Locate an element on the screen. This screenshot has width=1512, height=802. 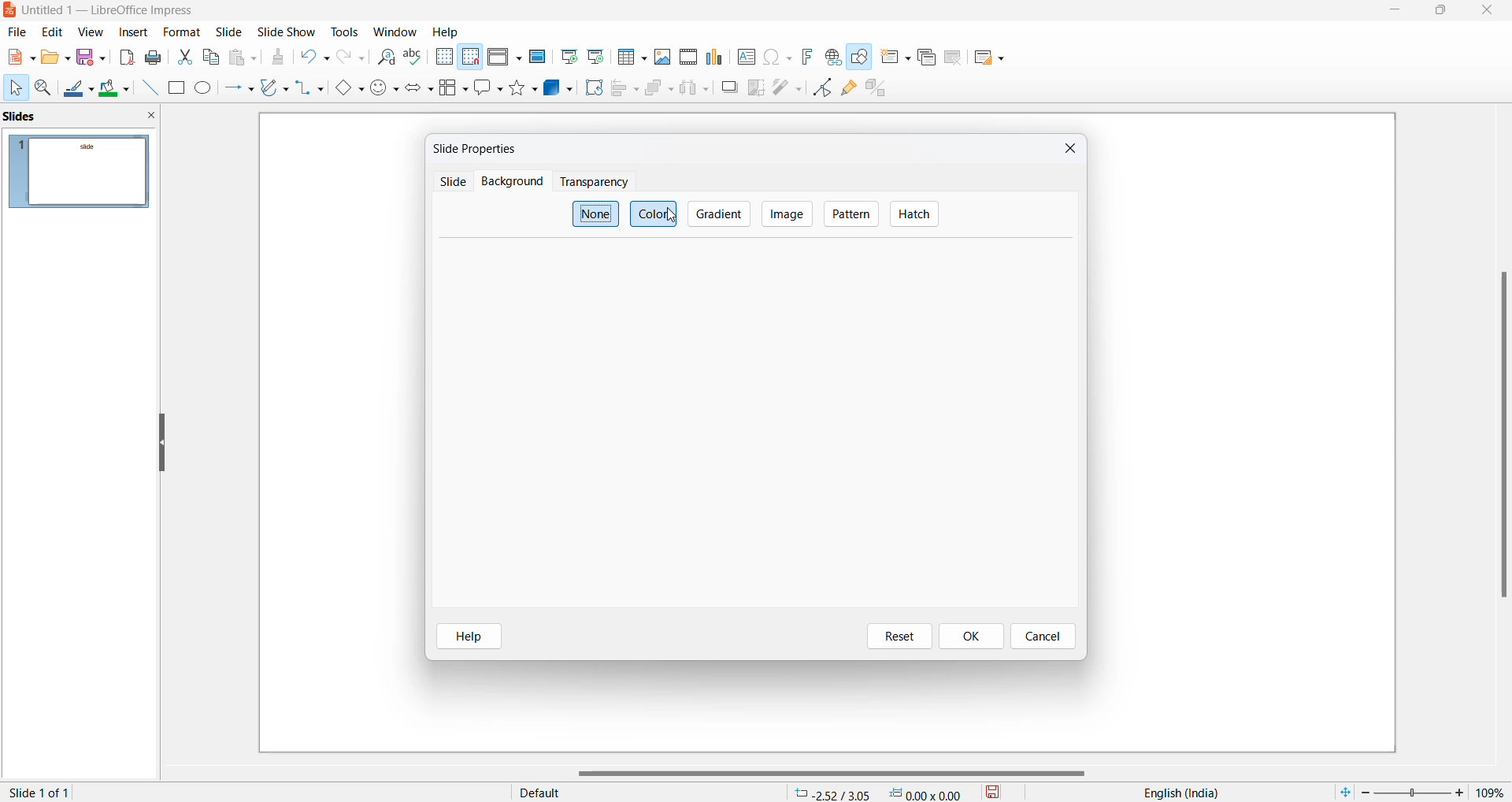
Help is located at coordinates (447, 32).